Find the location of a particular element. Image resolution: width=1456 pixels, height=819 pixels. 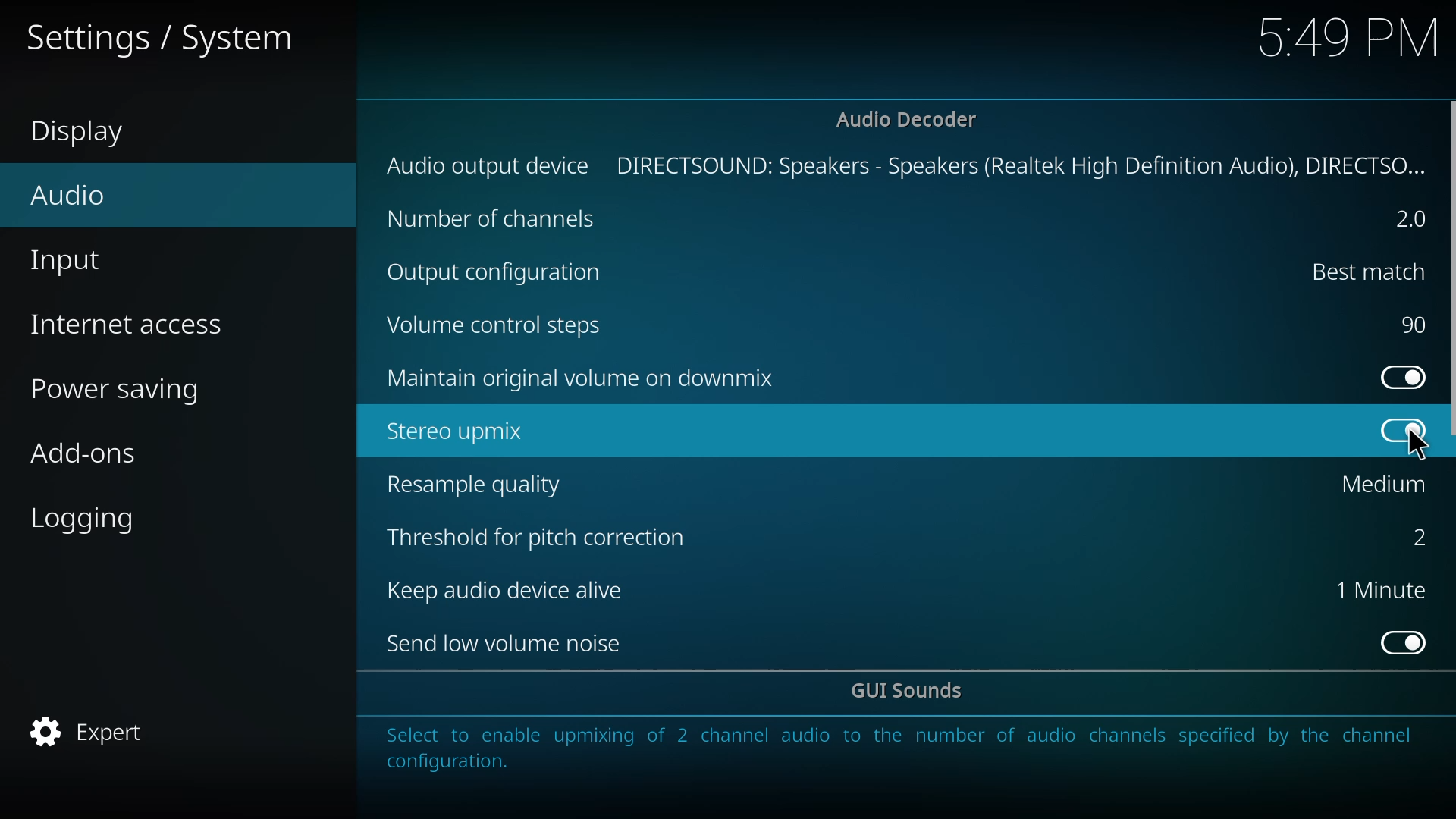

2 is located at coordinates (1416, 537).